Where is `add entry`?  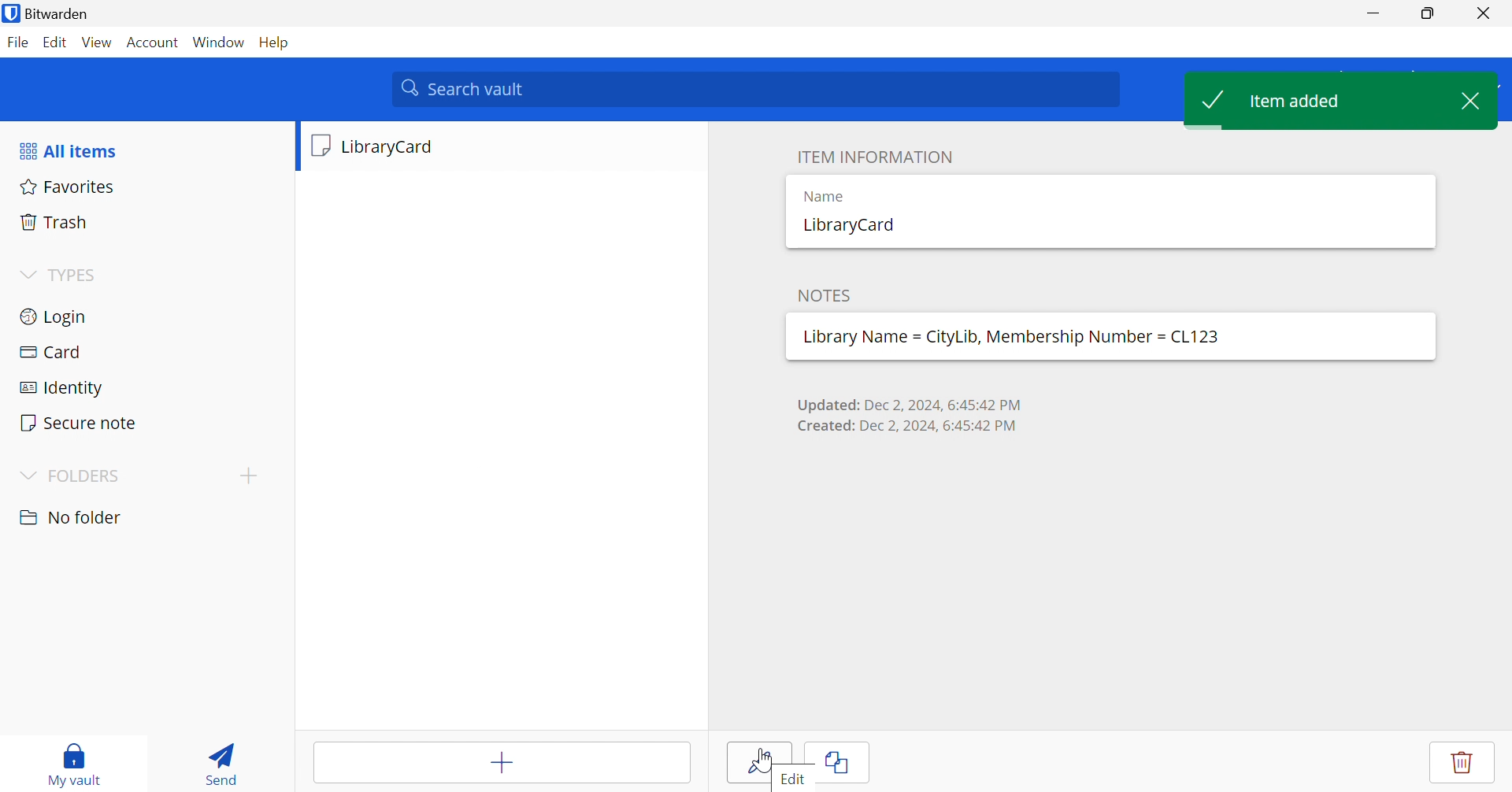
add entry is located at coordinates (500, 763).